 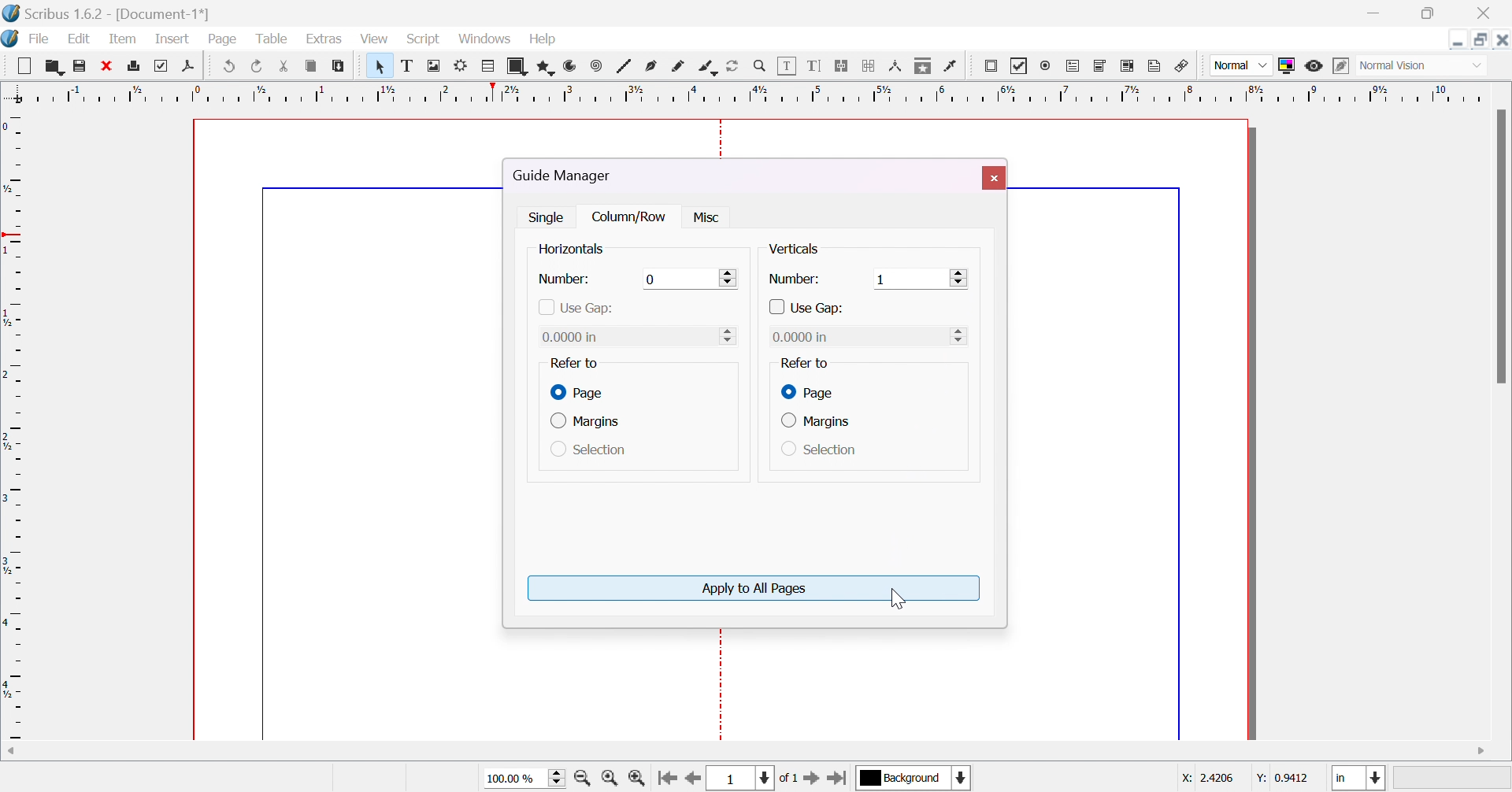 I want to click on script, so click(x=423, y=39).